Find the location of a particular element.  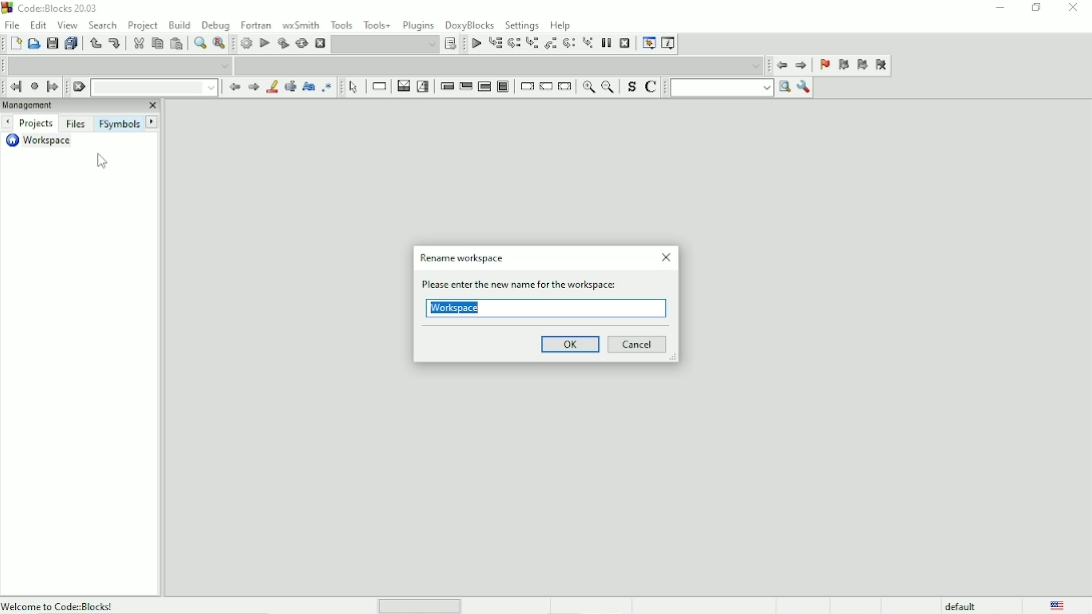

Build and run is located at coordinates (282, 43).